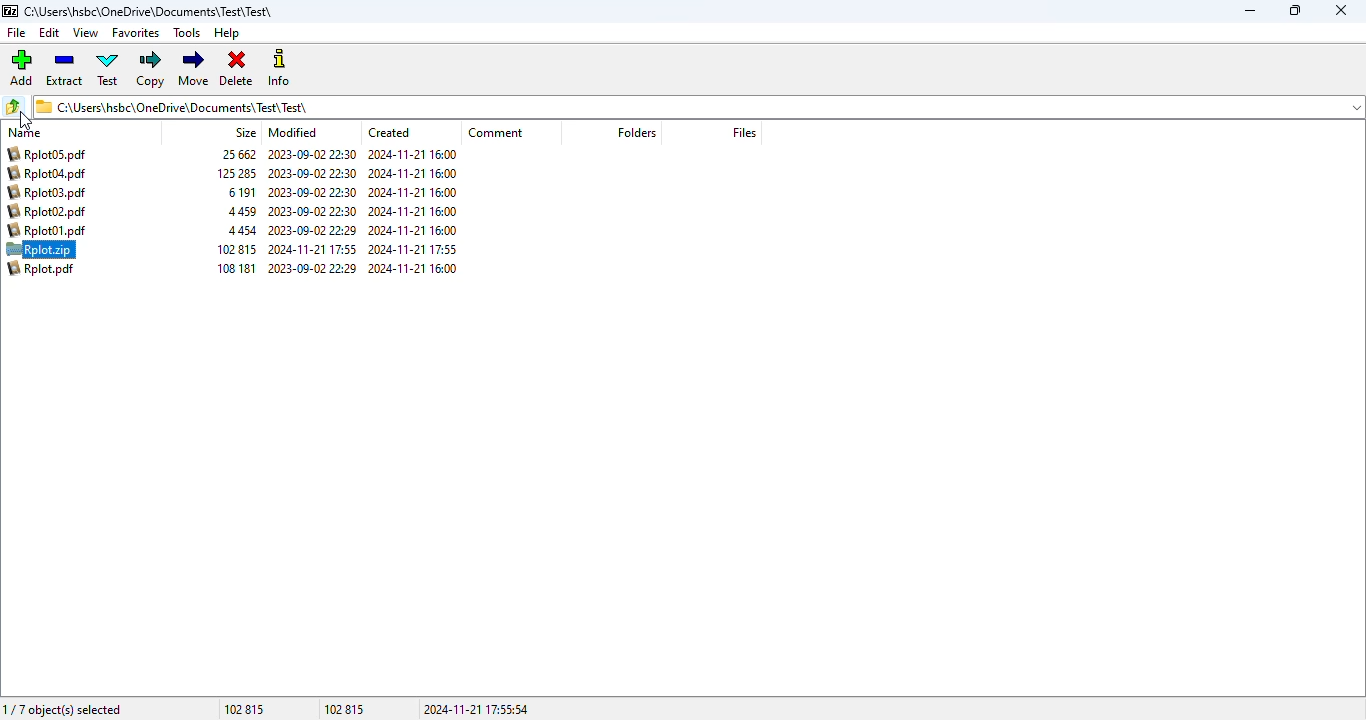  Describe the element at coordinates (241, 212) in the screenshot. I see `4 459` at that location.